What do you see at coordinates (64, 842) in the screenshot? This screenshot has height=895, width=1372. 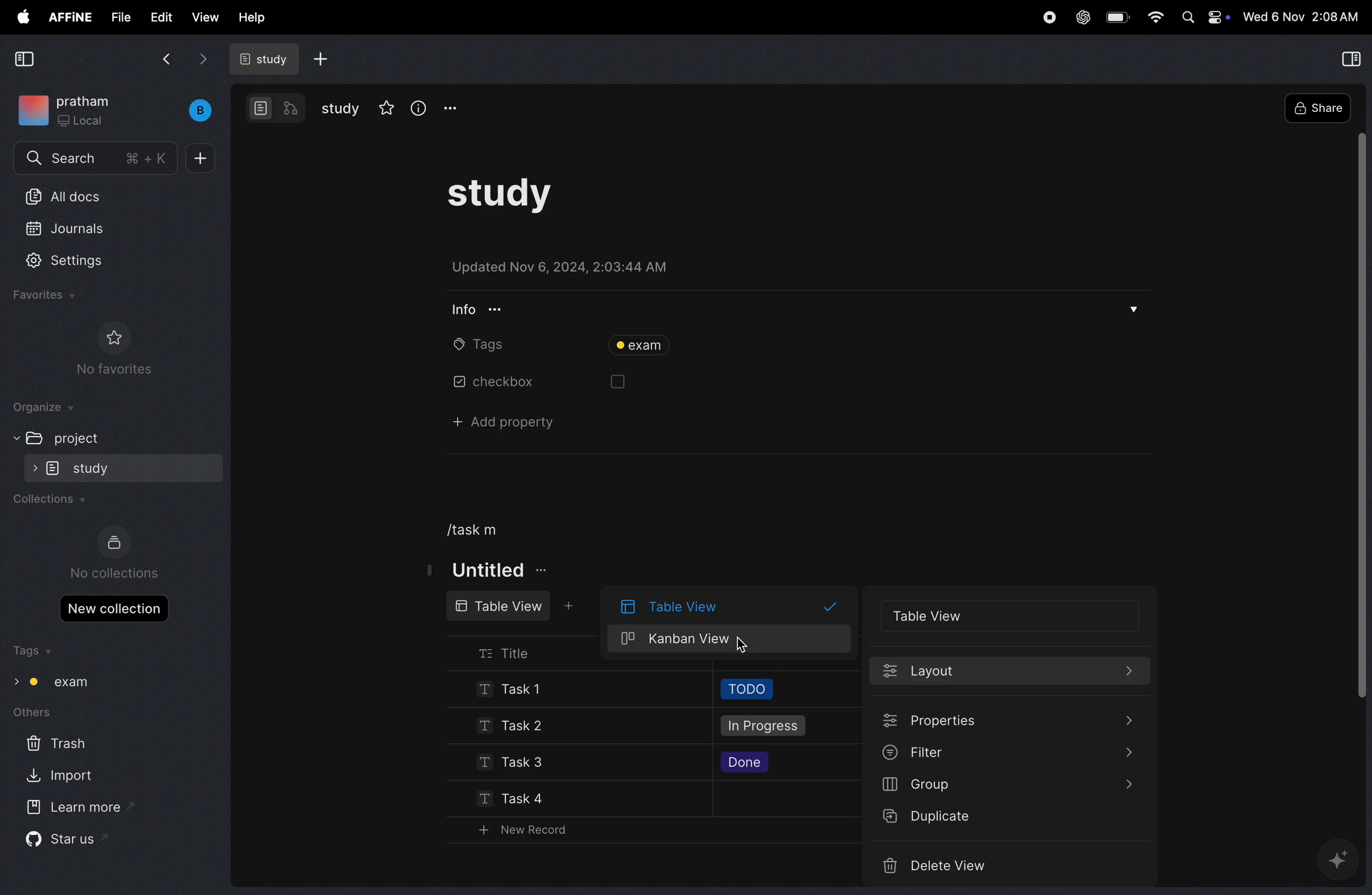 I see `star us` at bounding box center [64, 842].